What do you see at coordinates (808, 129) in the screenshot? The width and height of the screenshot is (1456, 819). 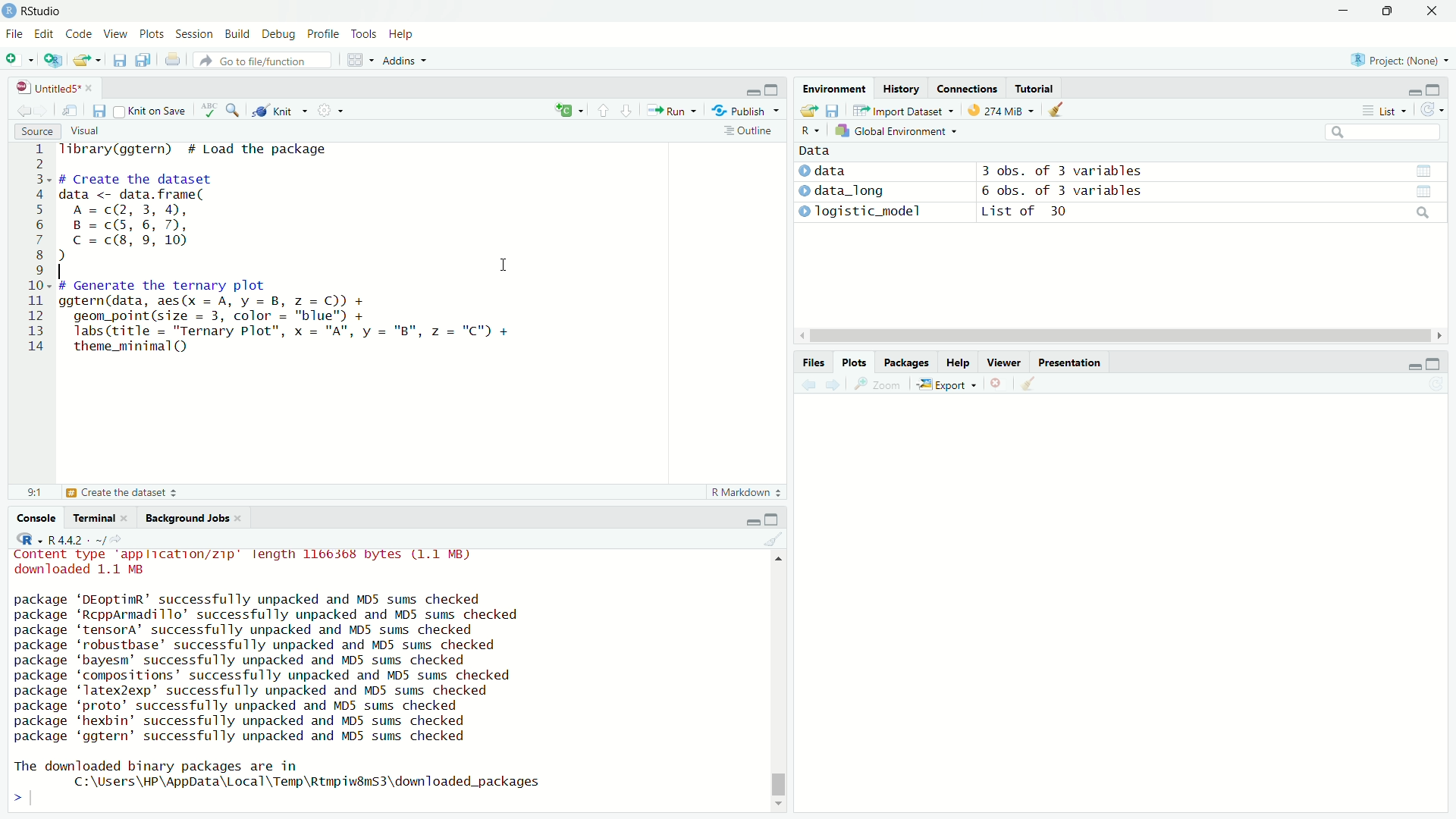 I see `R~` at bounding box center [808, 129].